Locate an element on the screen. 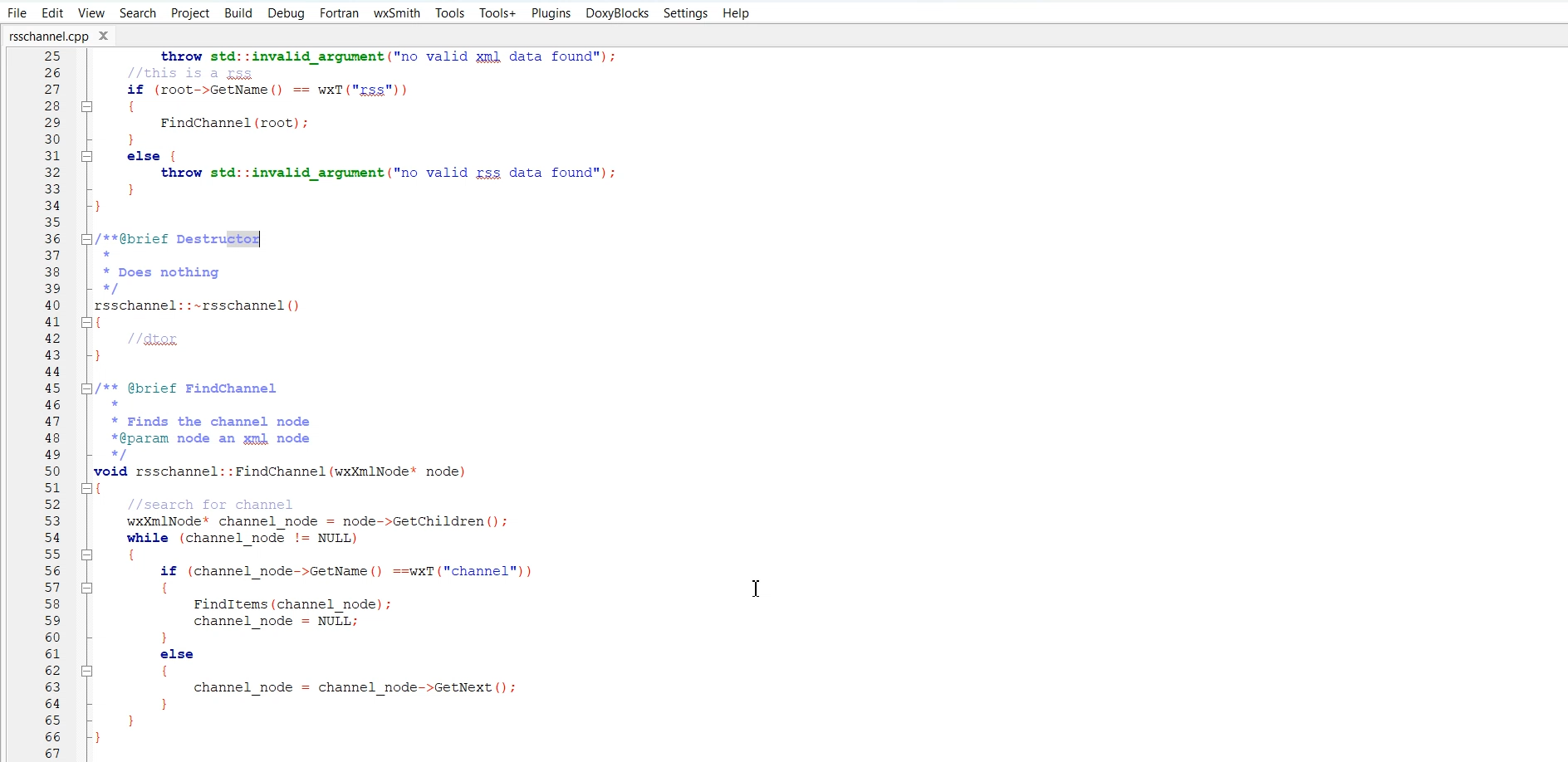 The height and width of the screenshot is (762, 1568). DoxyBlocks is located at coordinates (617, 12).